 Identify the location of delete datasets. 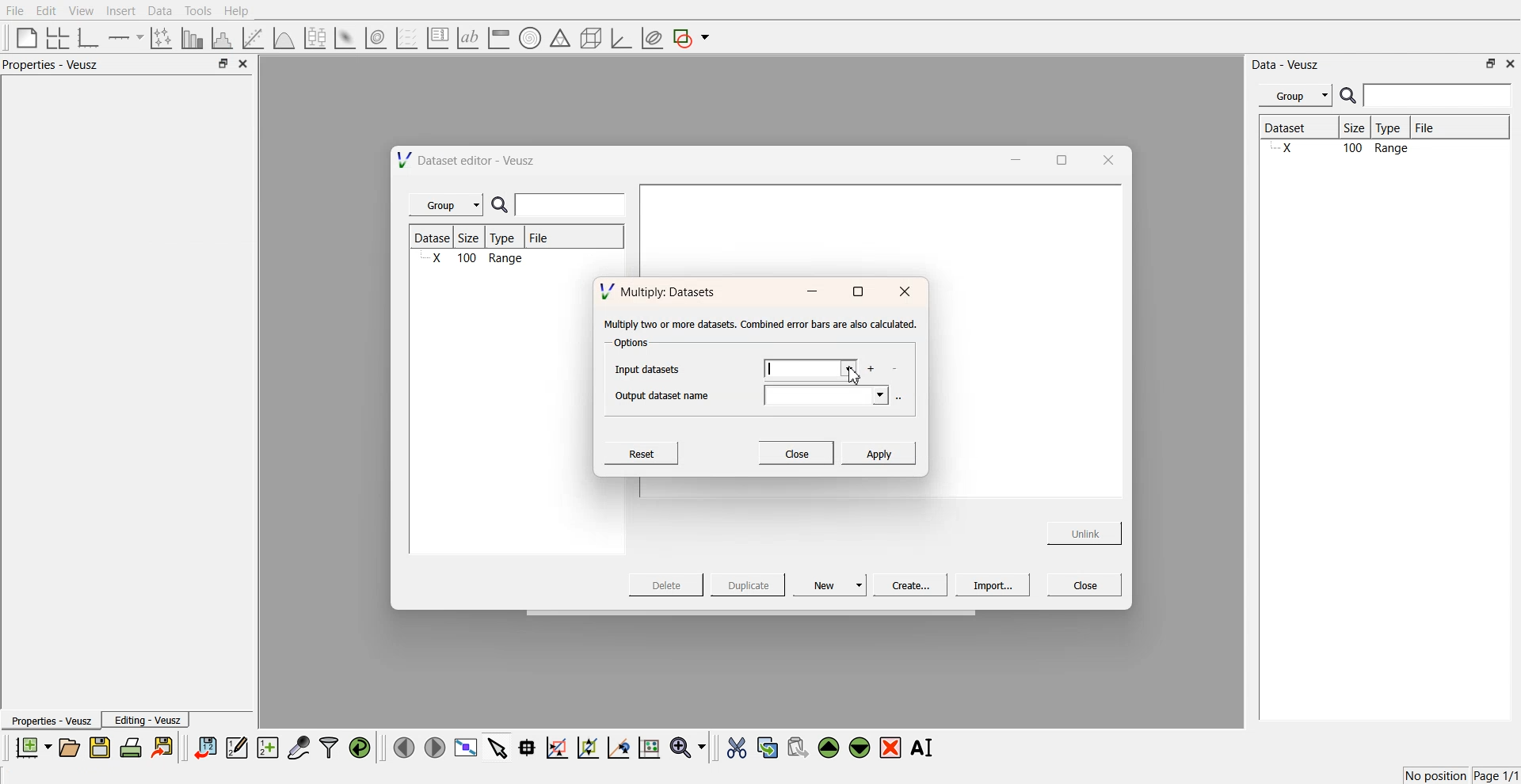
(894, 370).